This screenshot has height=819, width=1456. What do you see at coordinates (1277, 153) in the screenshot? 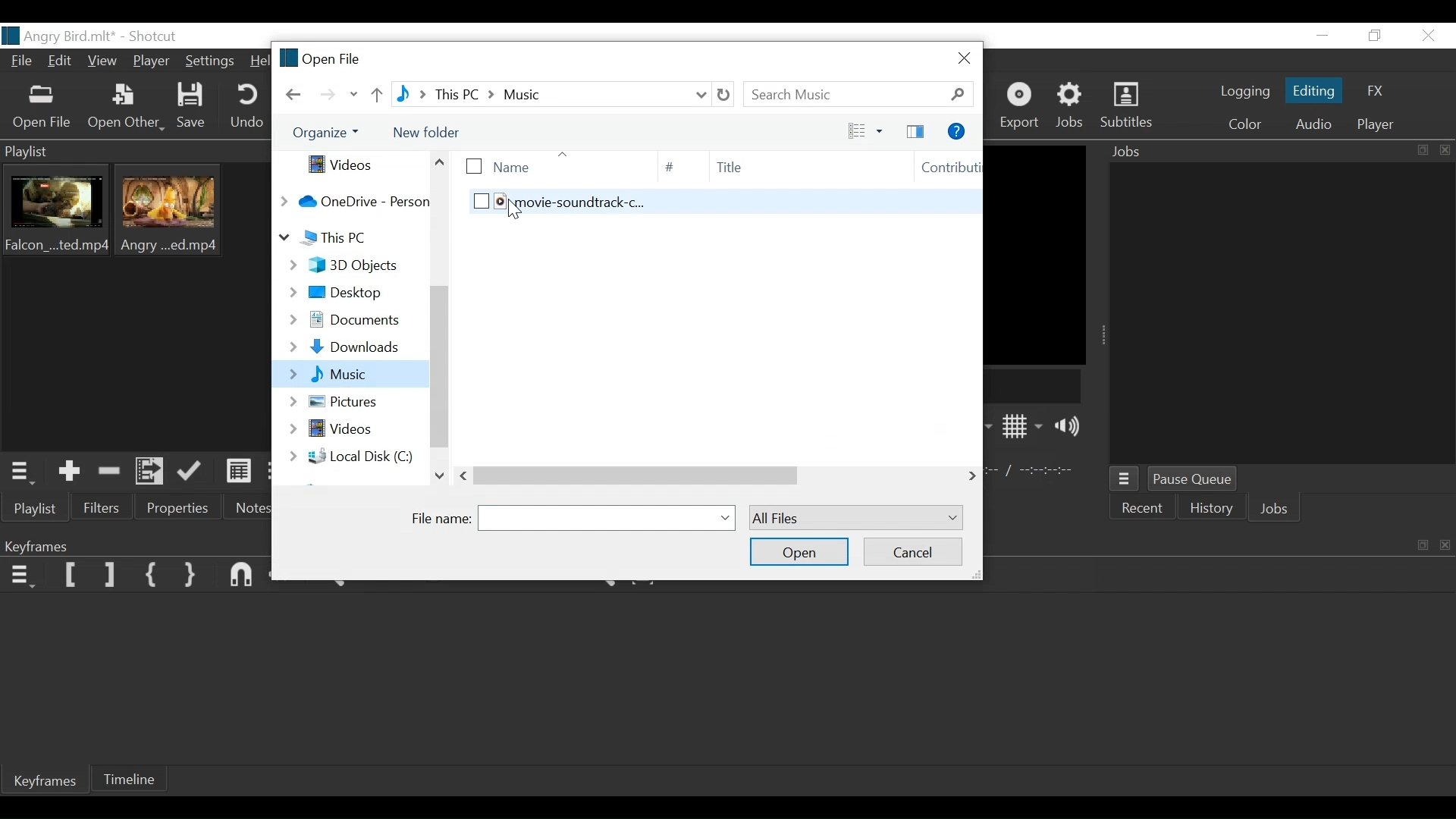
I see `Jobs Panel` at bounding box center [1277, 153].